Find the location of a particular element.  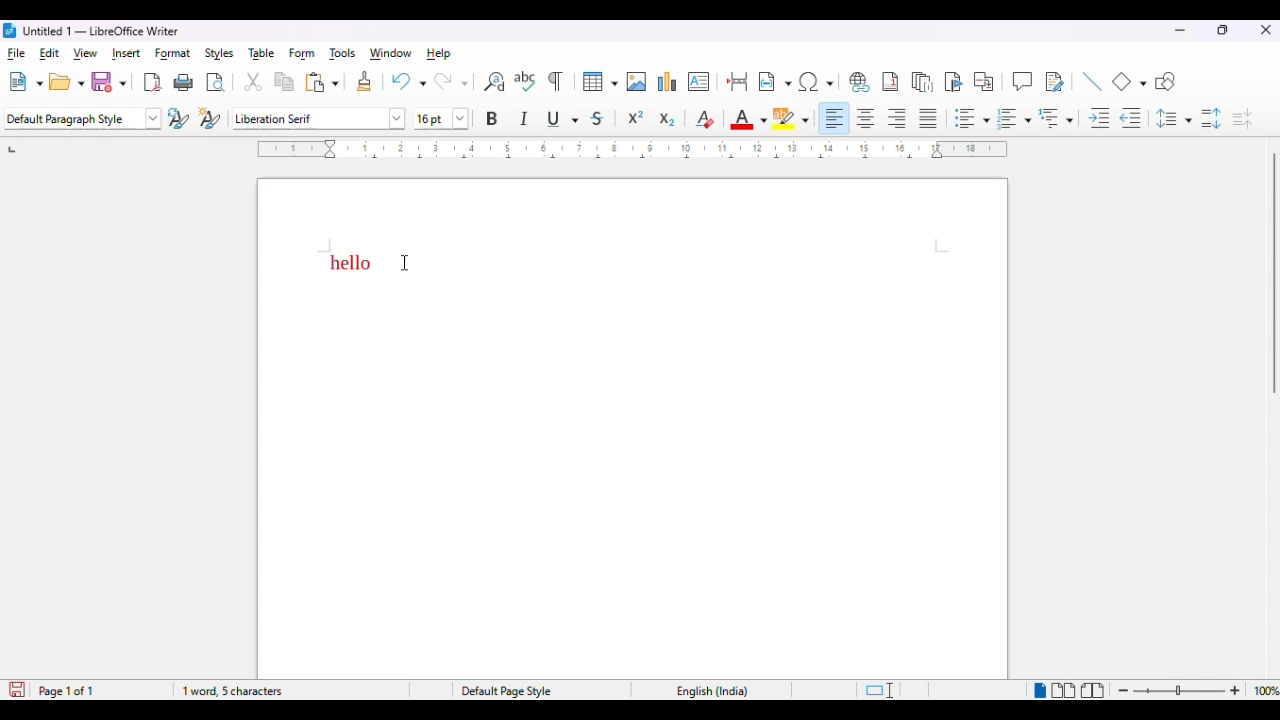

insert image is located at coordinates (637, 82).